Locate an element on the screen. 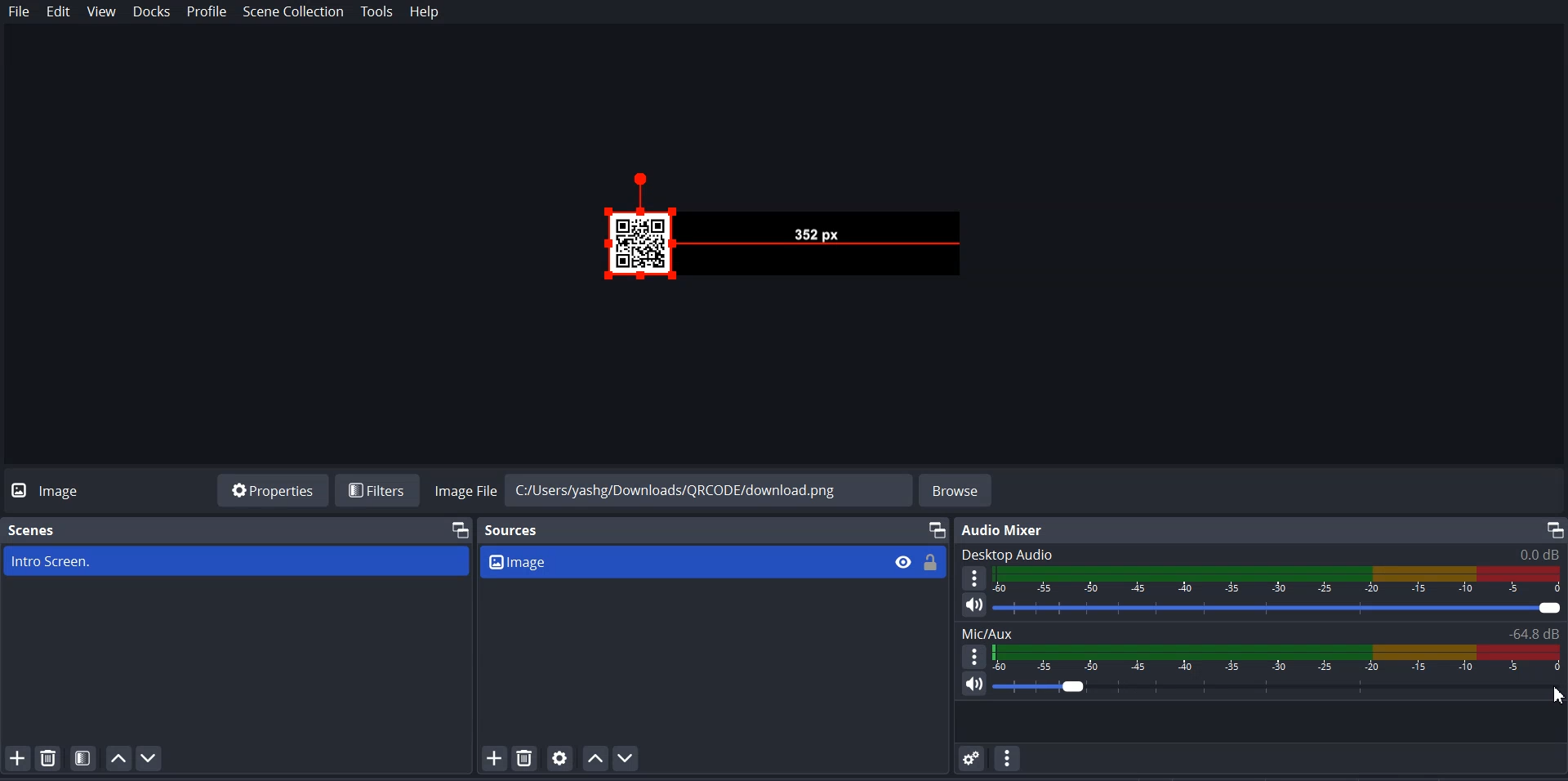  Scene is located at coordinates (34, 530).